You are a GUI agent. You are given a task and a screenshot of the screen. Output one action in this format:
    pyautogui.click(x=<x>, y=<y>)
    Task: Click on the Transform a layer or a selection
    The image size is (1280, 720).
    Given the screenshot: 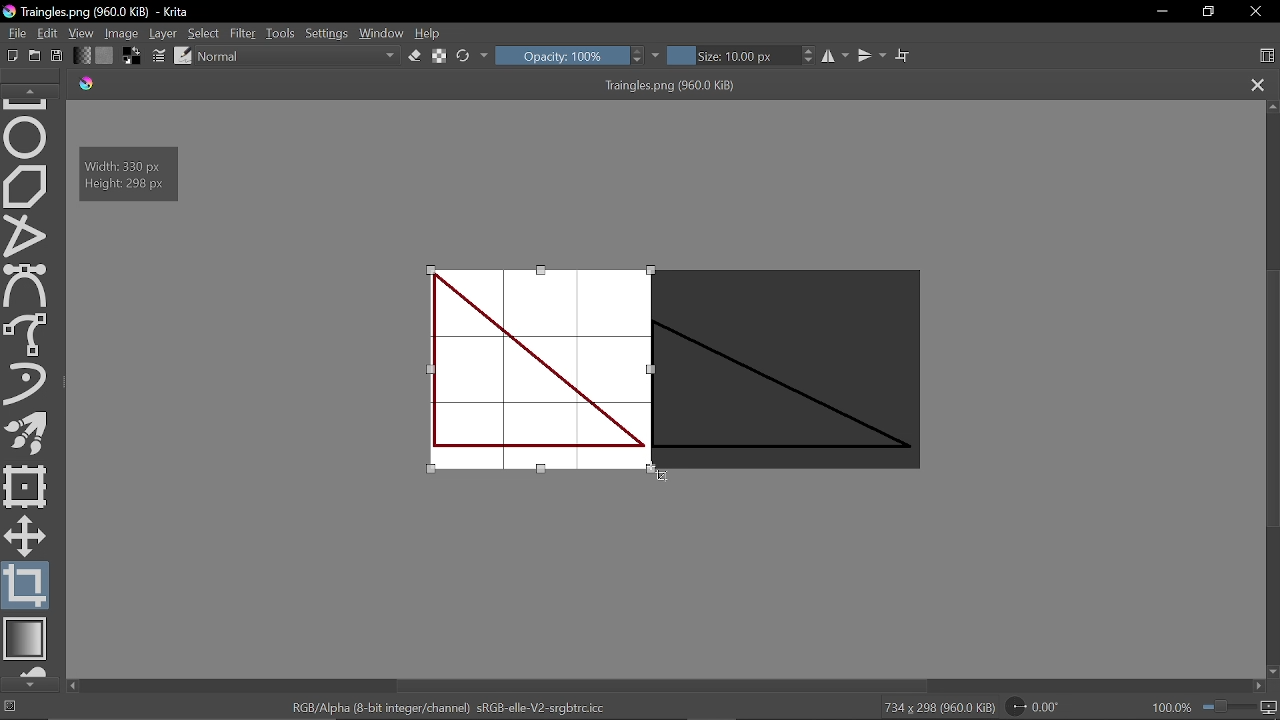 What is the action you would take?
    pyautogui.click(x=26, y=485)
    